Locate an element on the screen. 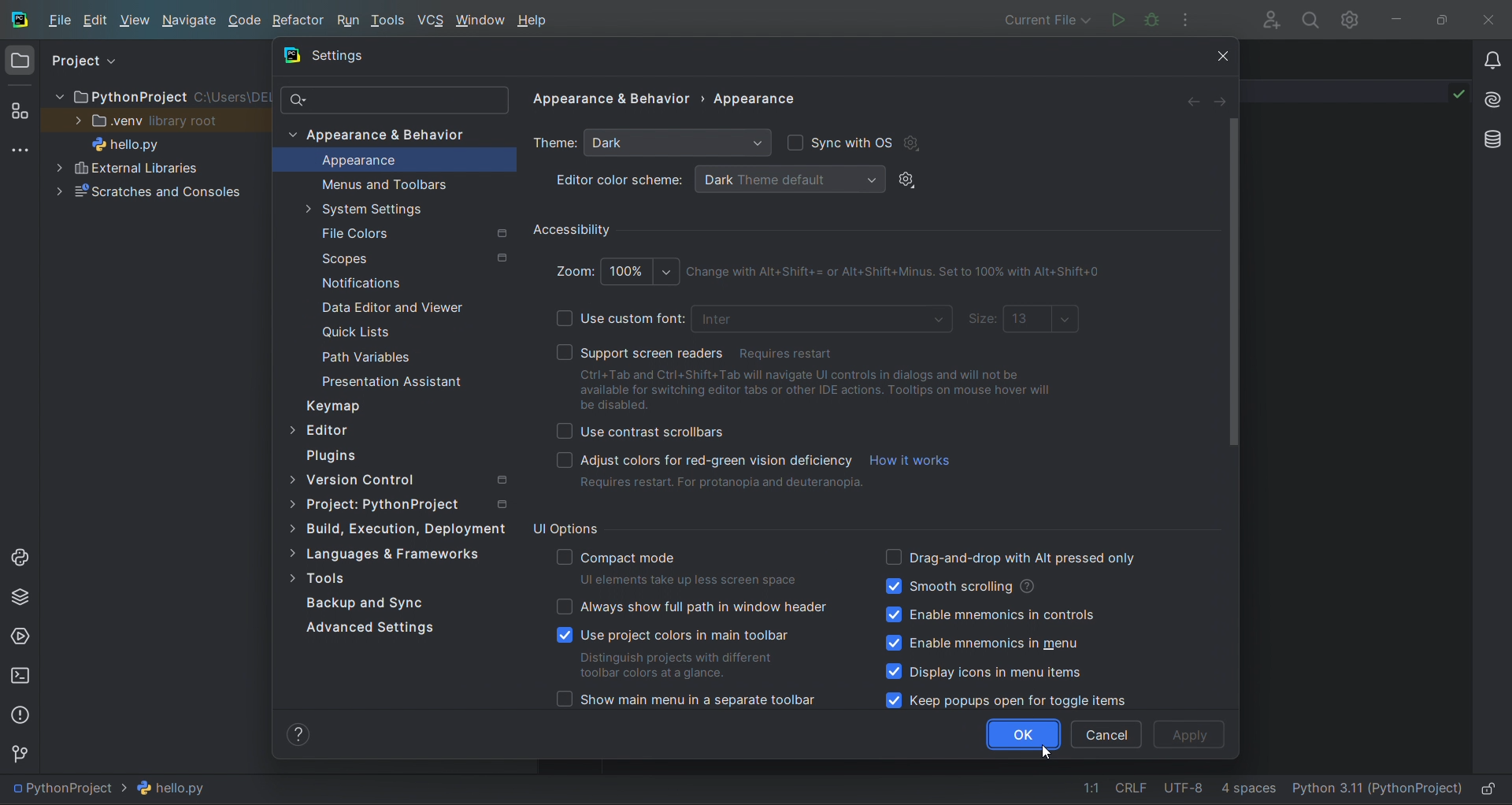  Build, Execution, Deployment is located at coordinates (396, 529).